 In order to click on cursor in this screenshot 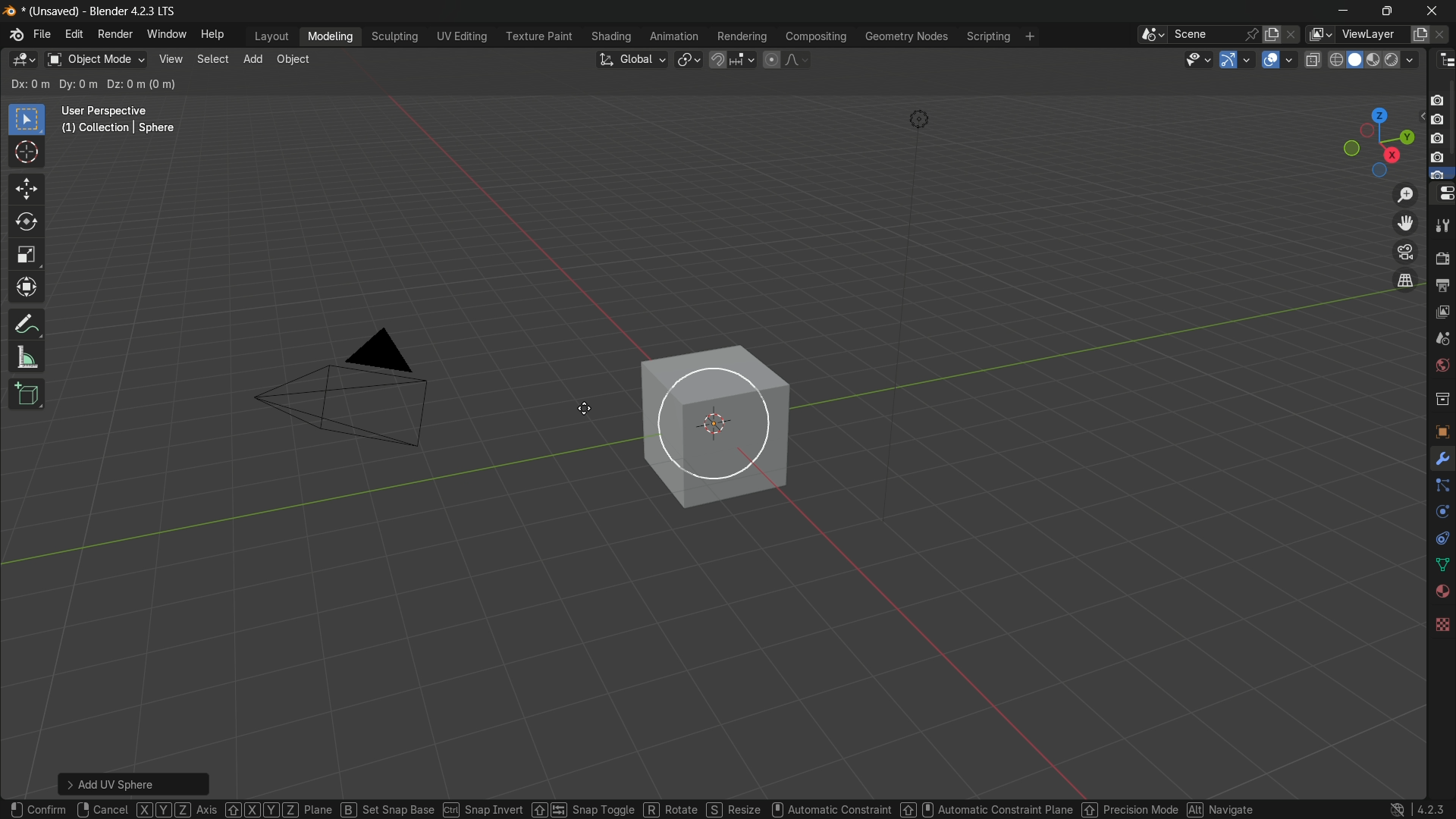, I will do `click(27, 155)`.